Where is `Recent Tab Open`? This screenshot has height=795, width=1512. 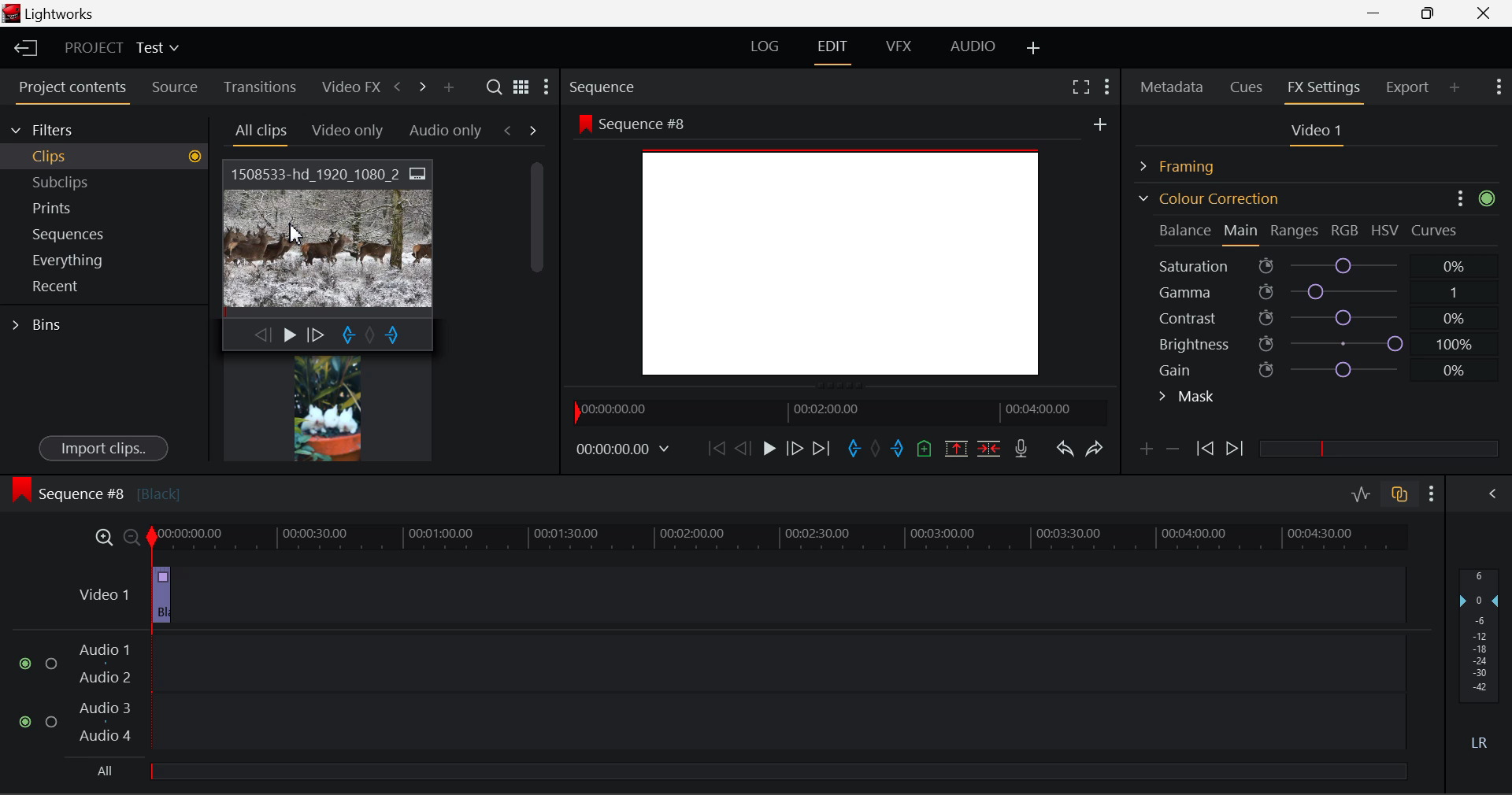
Recent Tab Open is located at coordinates (104, 287).